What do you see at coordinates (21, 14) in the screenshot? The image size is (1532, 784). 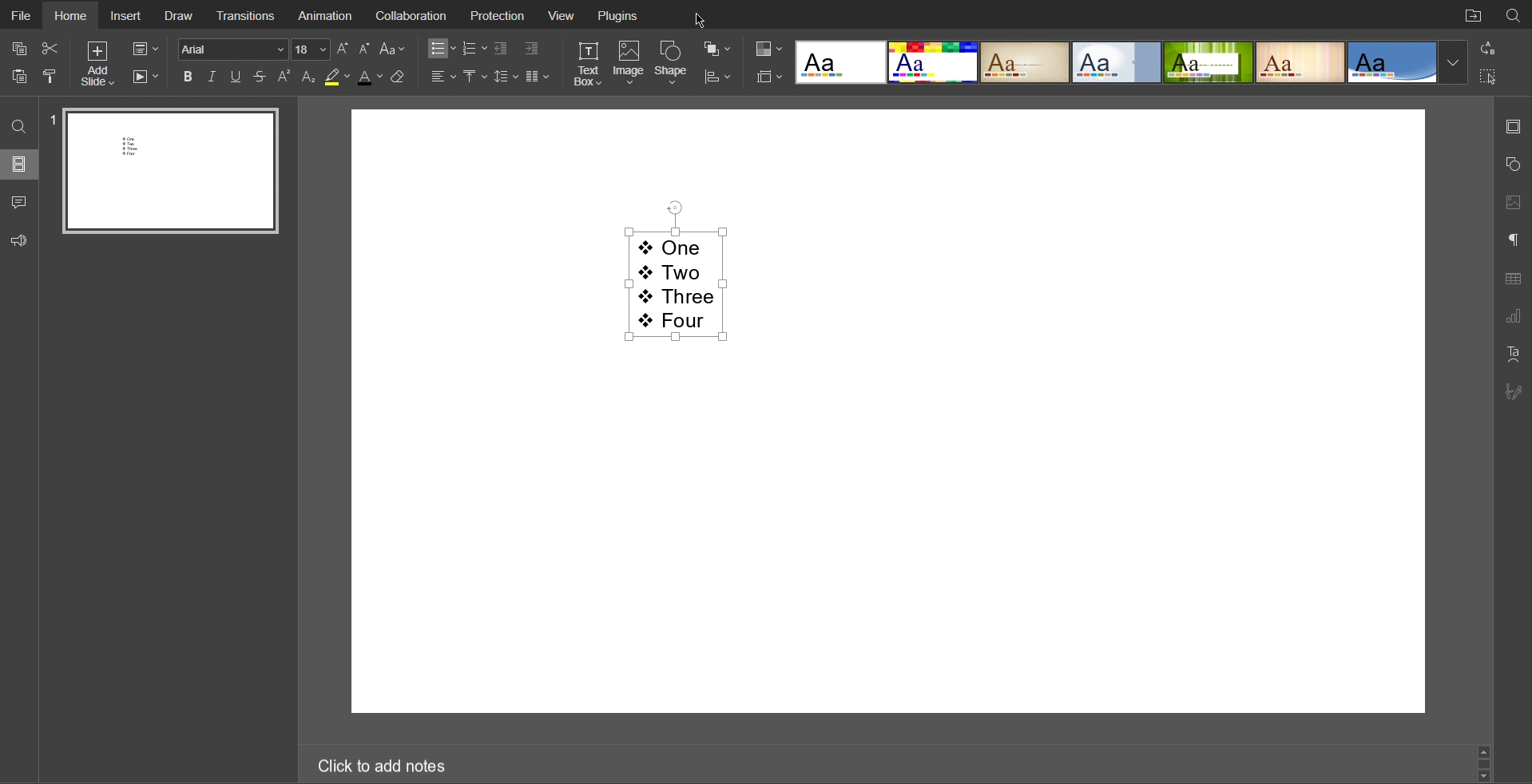 I see `File` at bounding box center [21, 14].